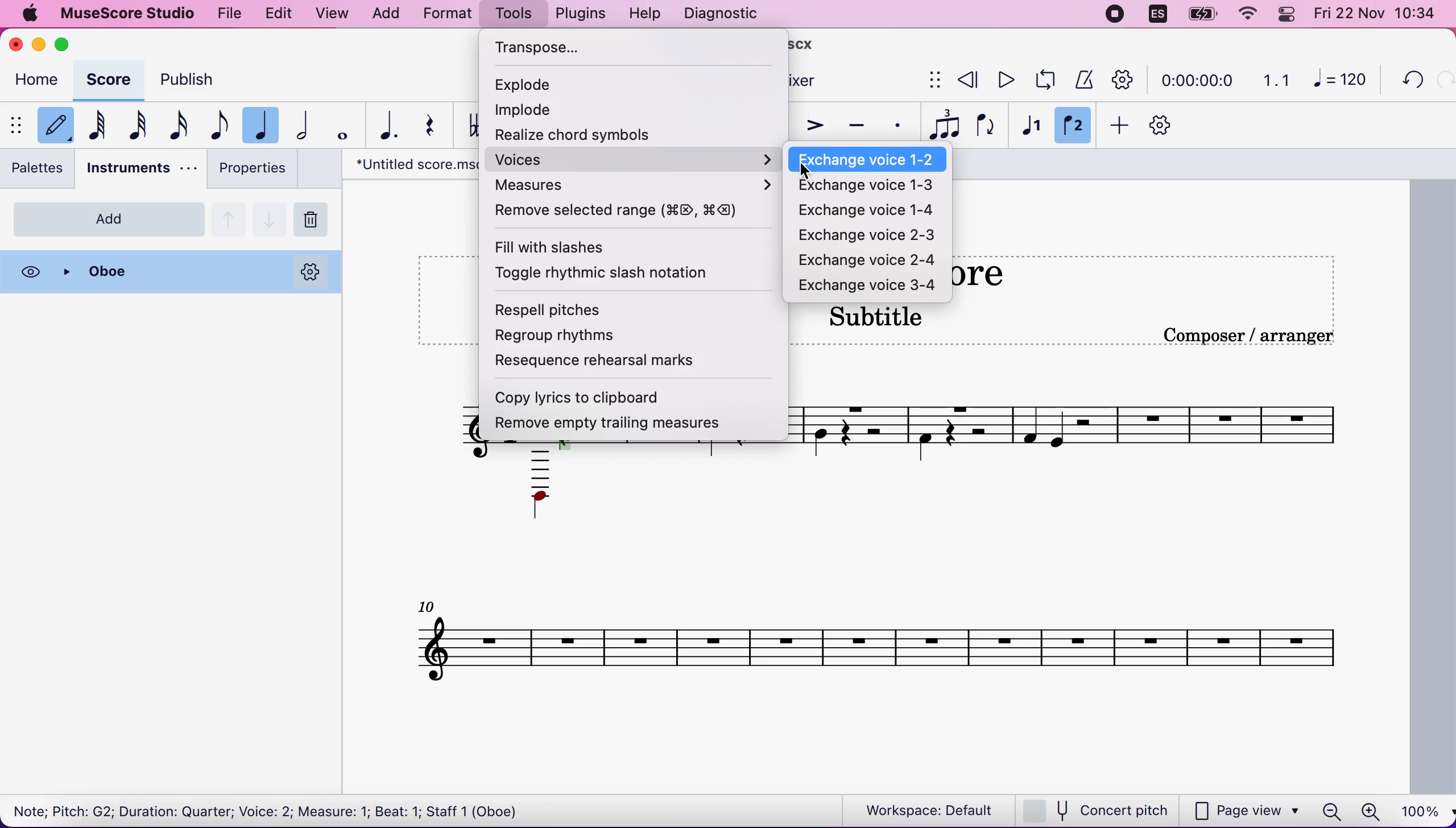 The width and height of the screenshot is (1456, 828). Describe the element at coordinates (869, 260) in the screenshot. I see `exchange voice 2-4` at that location.